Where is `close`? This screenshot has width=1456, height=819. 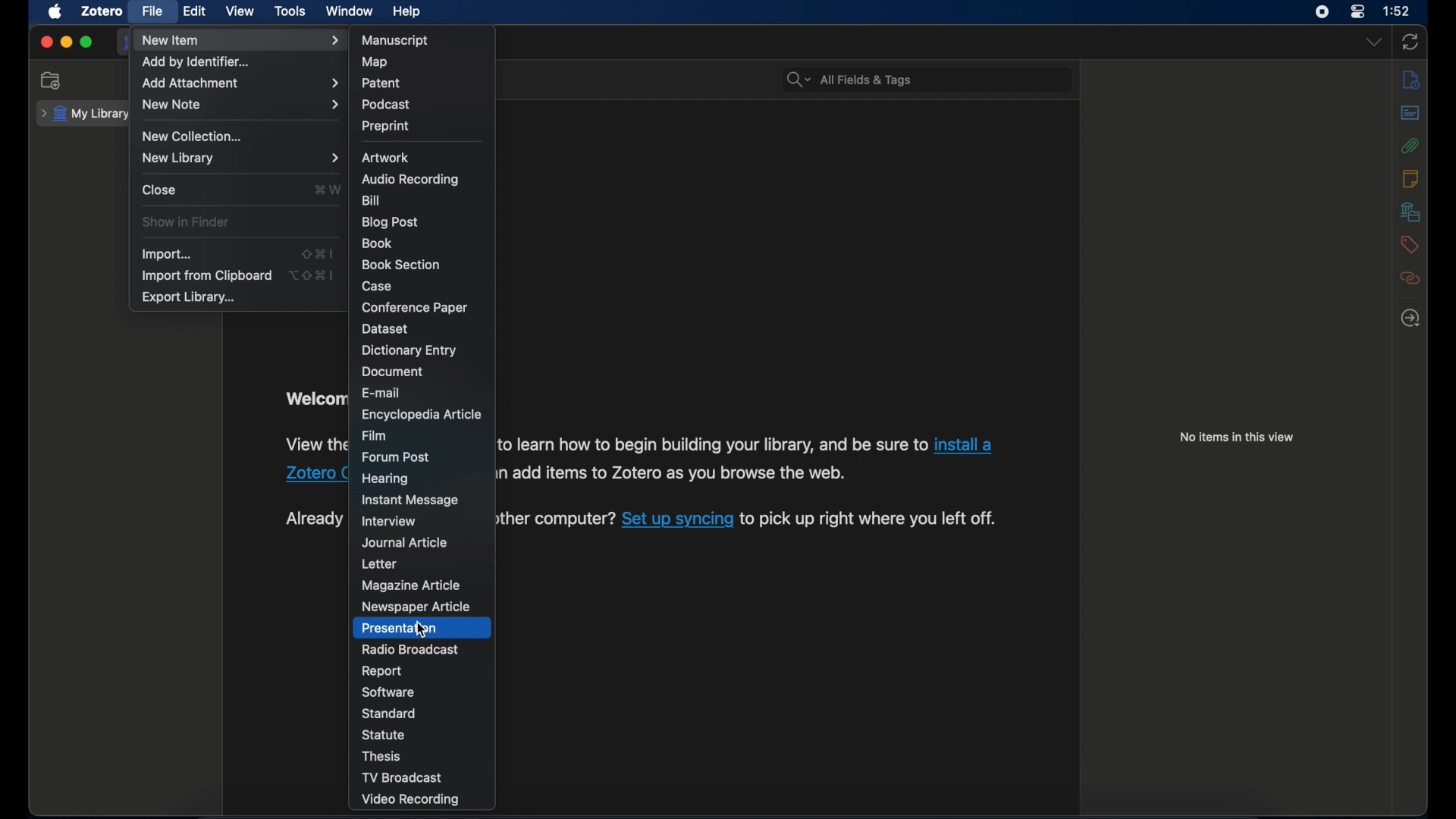 close is located at coordinates (46, 42).